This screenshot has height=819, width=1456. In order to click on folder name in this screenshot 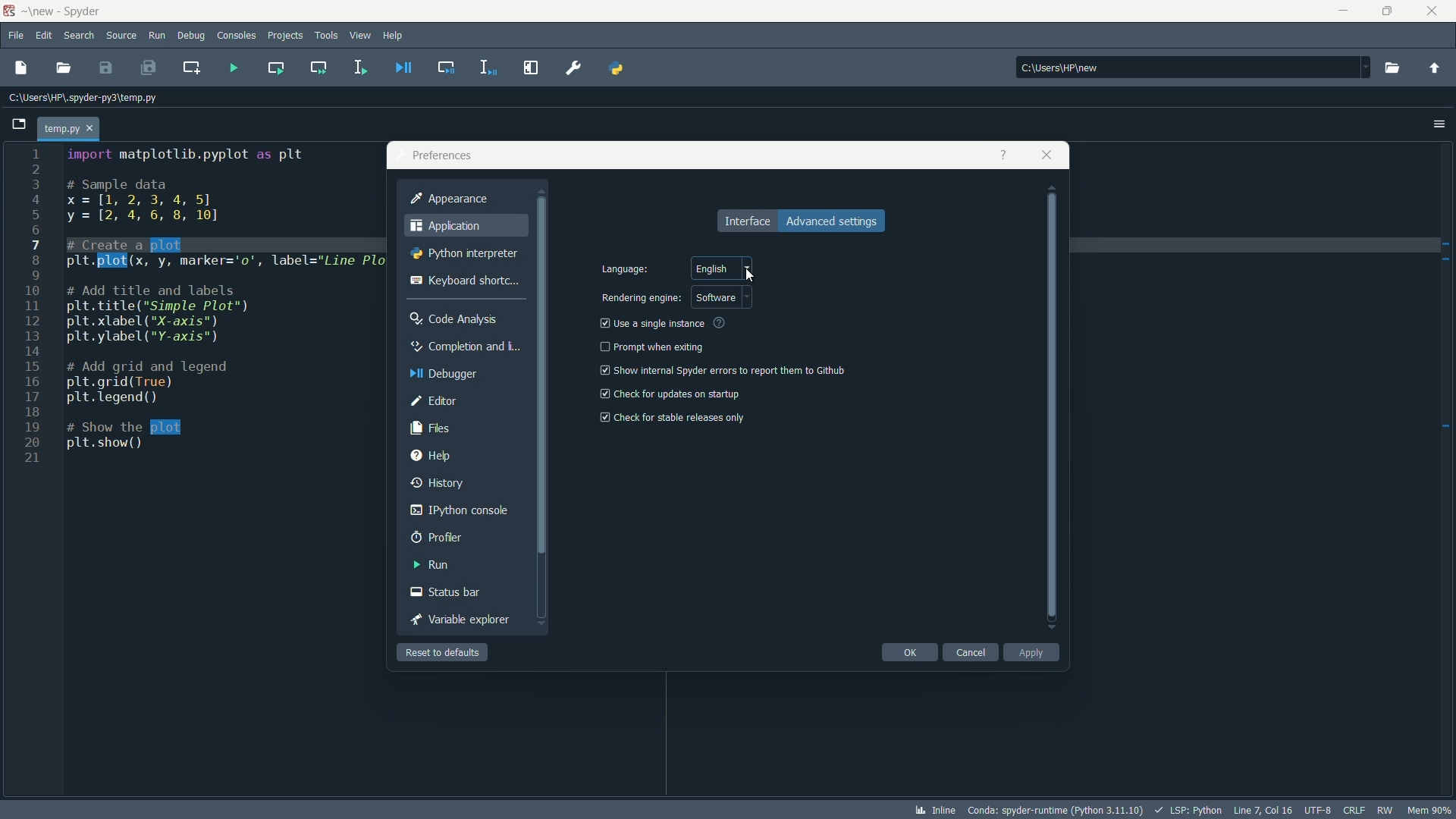, I will do `click(39, 12)`.